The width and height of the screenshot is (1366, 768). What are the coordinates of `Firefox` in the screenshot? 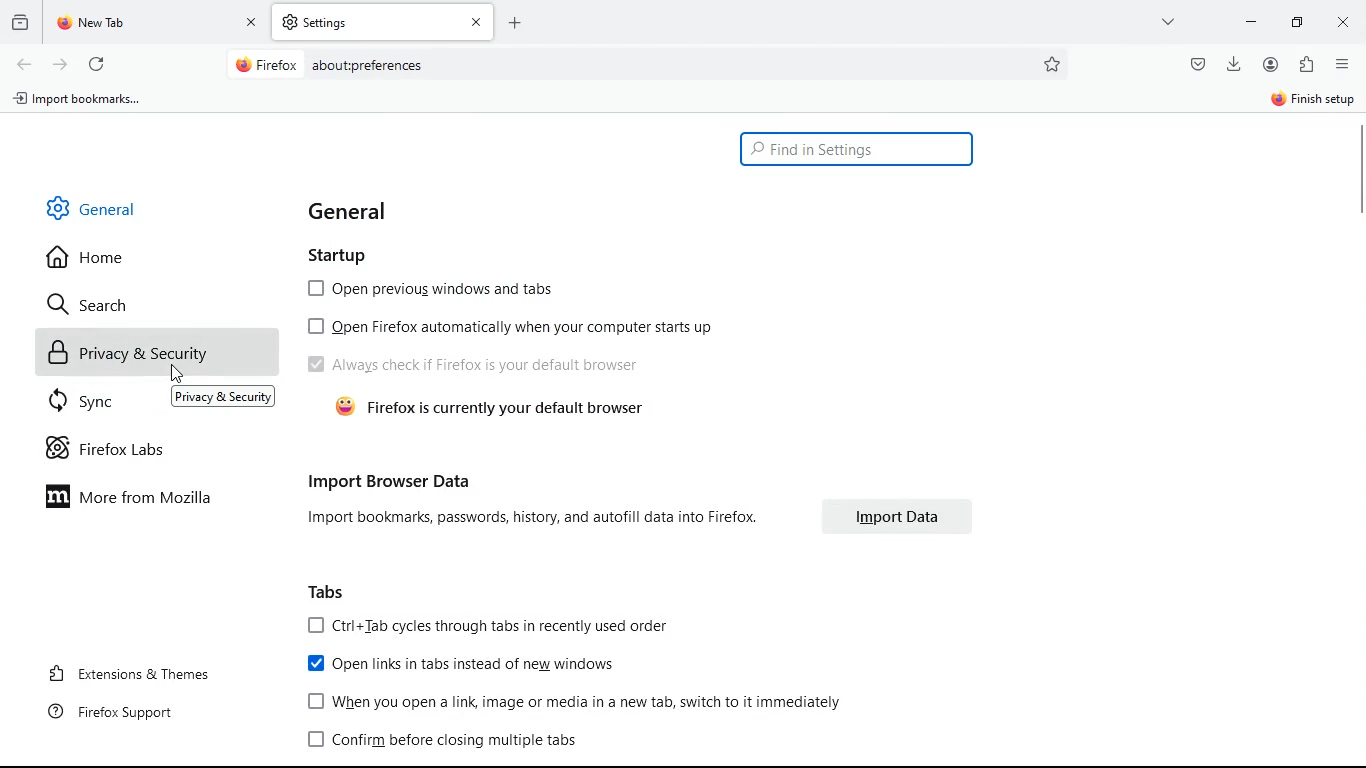 It's located at (267, 64).